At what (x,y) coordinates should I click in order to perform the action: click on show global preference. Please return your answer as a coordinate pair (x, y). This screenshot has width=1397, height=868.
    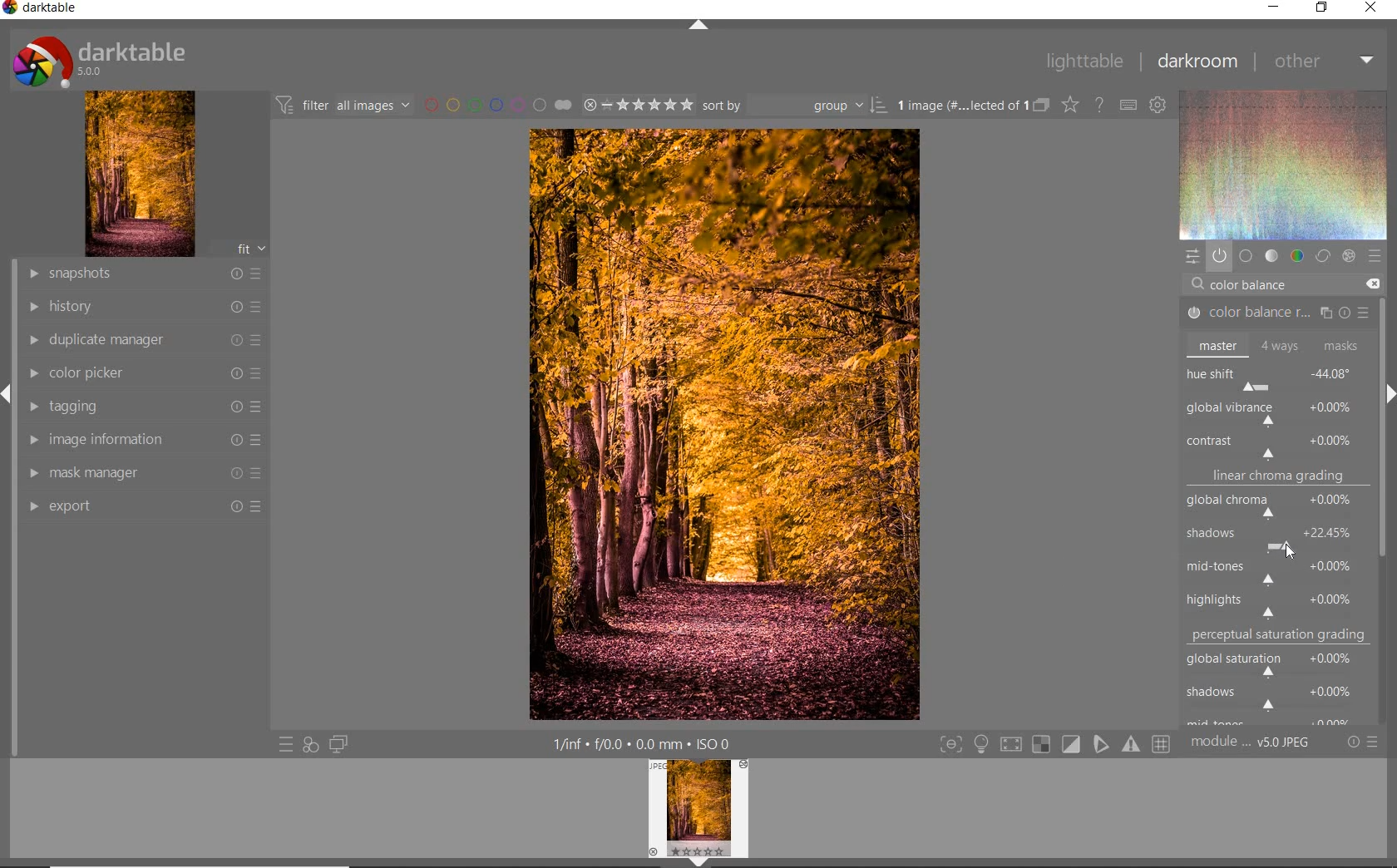
    Looking at the image, I should click on (1159, 106).